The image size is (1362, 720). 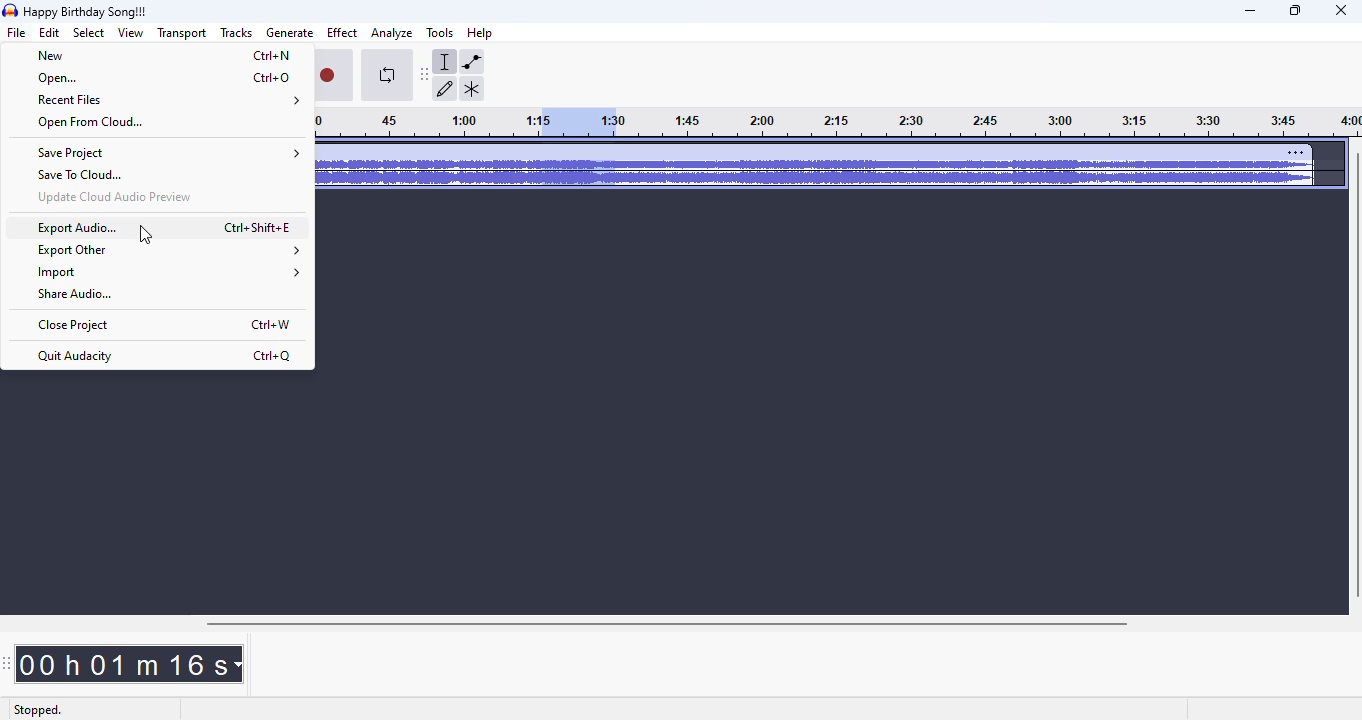 I want to click on 00 h 01 m 16 s, so click(x=130, y=664).